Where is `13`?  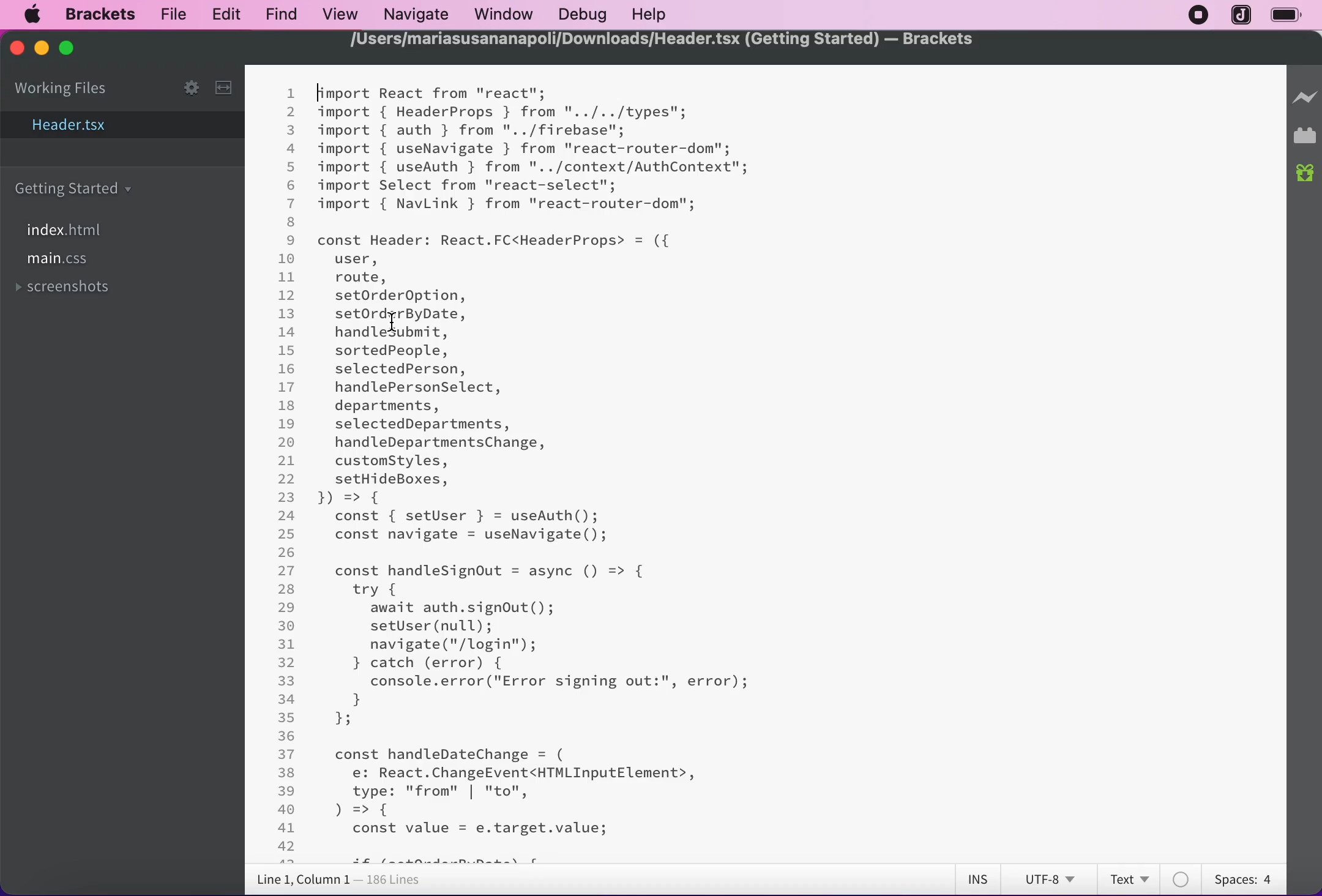
13 is located at coordinates (287, 313).